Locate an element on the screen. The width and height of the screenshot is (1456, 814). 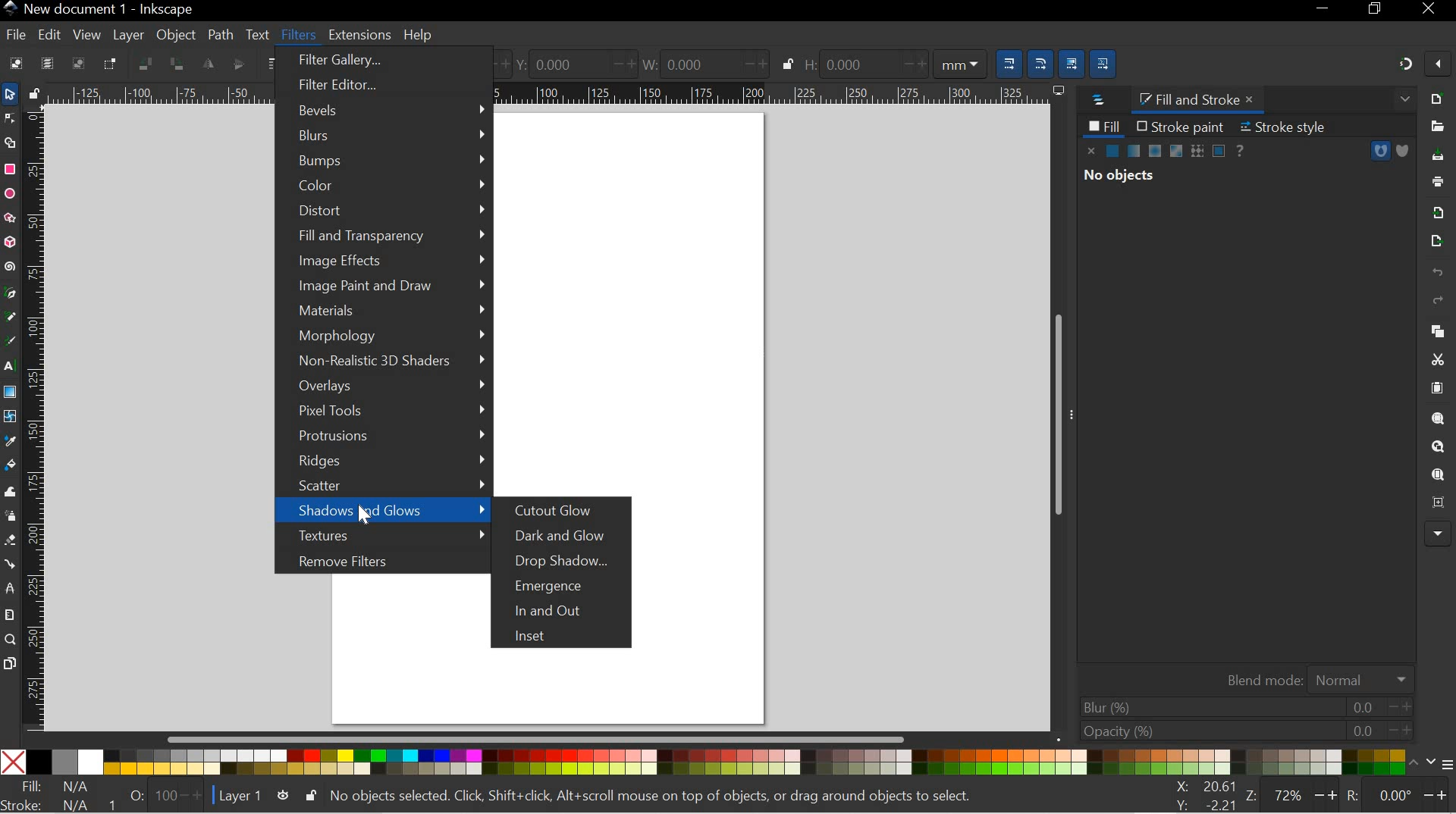
BLEND MODE is located at coordinates (1314, 678).